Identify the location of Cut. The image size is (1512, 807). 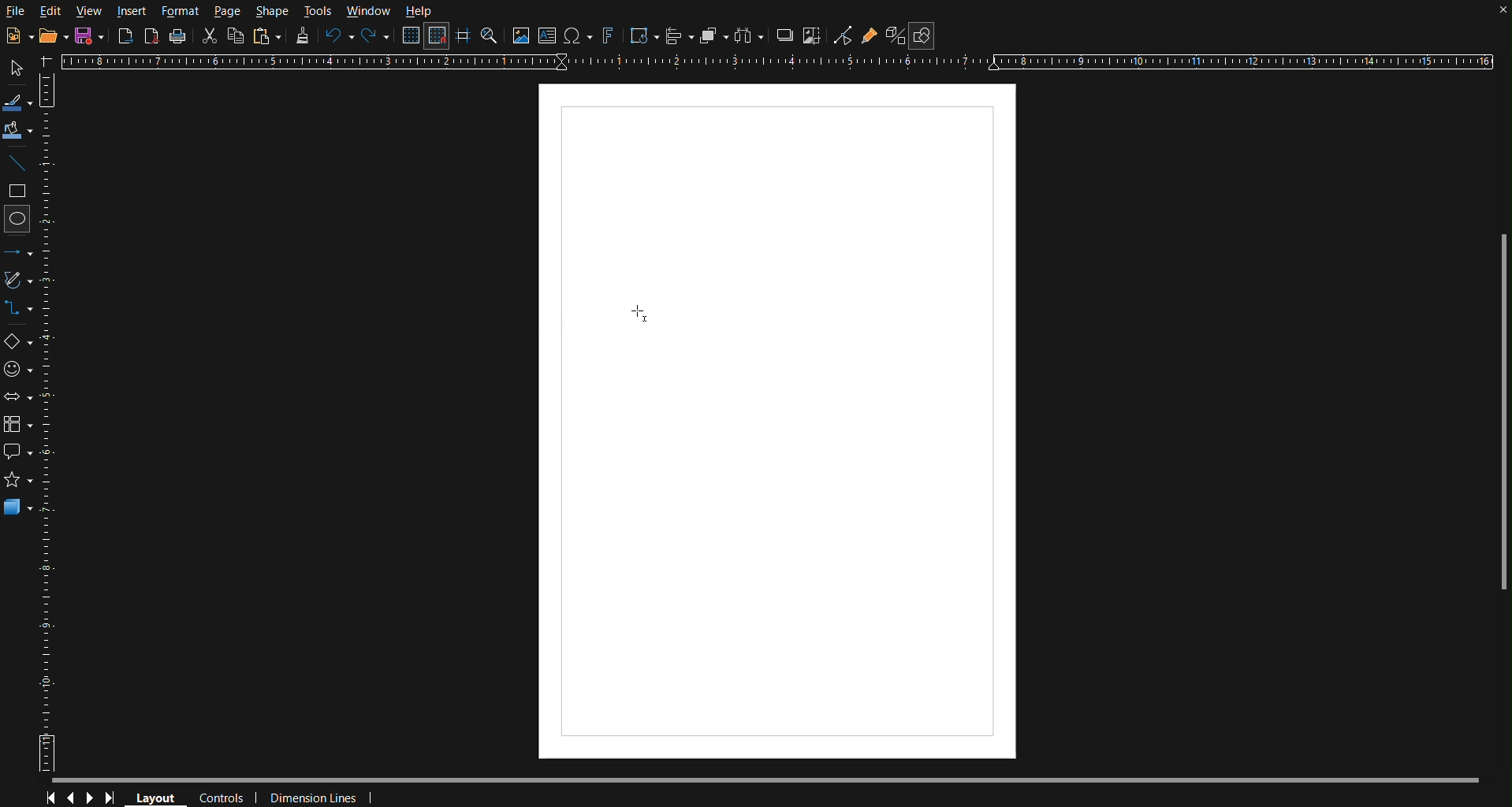
(211, 37).